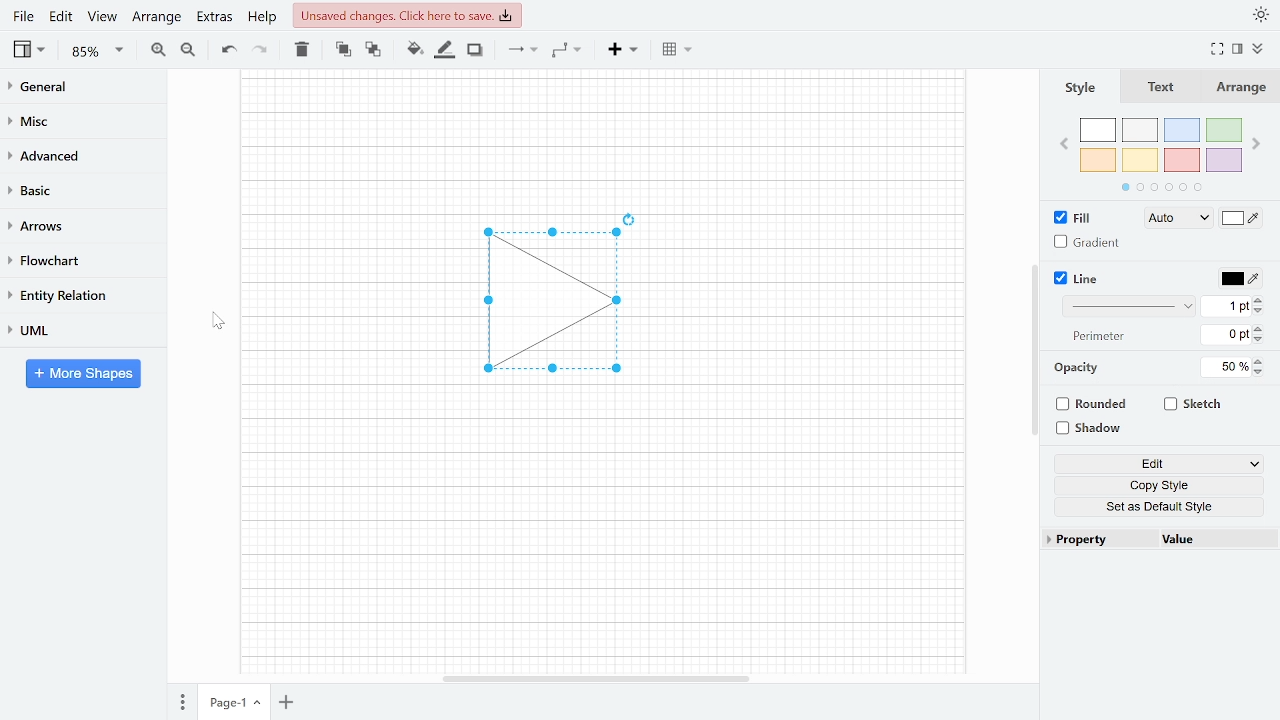  Describe the element at coordinates (1261, 329) in the screenshot. I see `Increase perimeter` at that location.